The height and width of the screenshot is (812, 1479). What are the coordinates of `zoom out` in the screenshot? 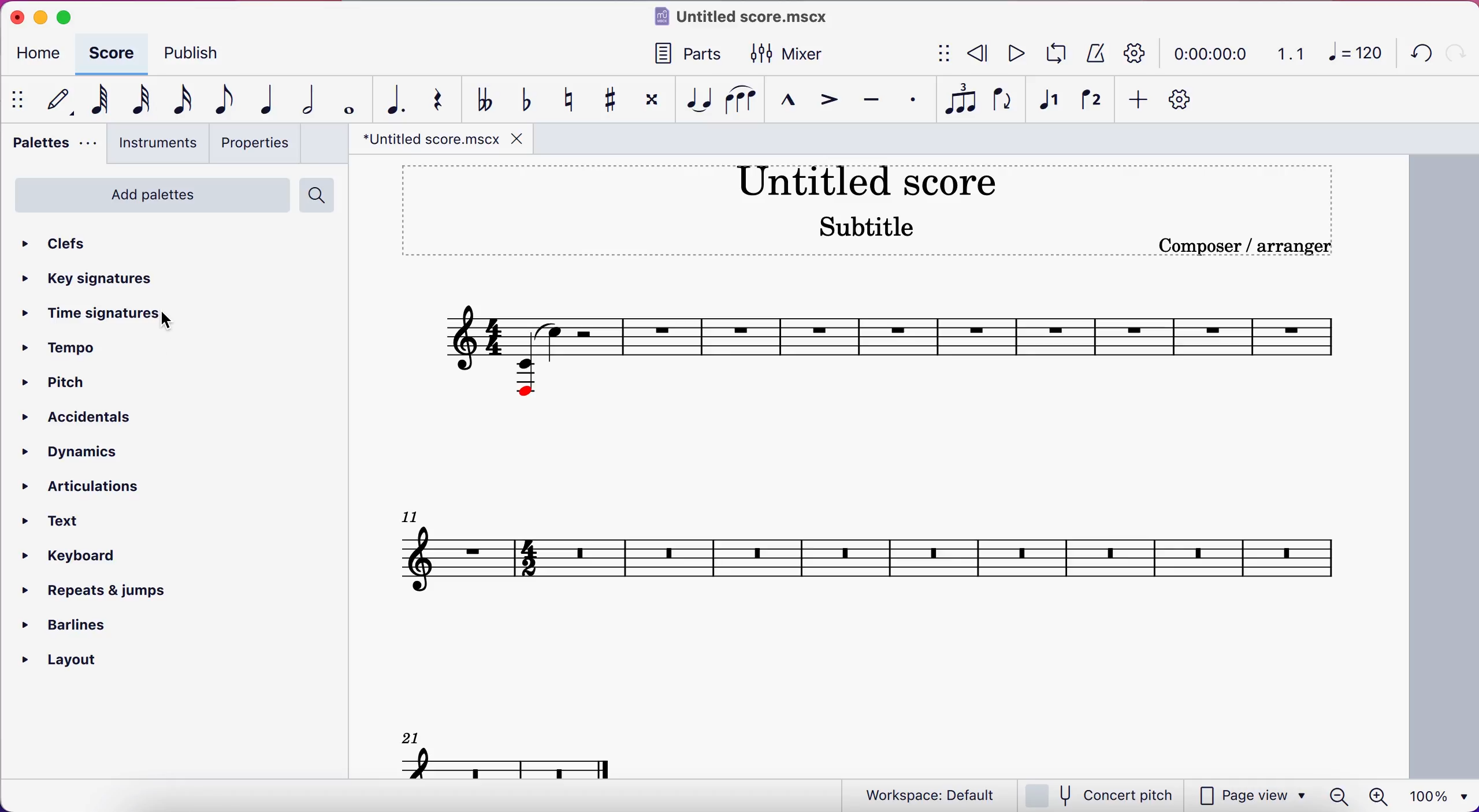 It's located at (1339, 796).